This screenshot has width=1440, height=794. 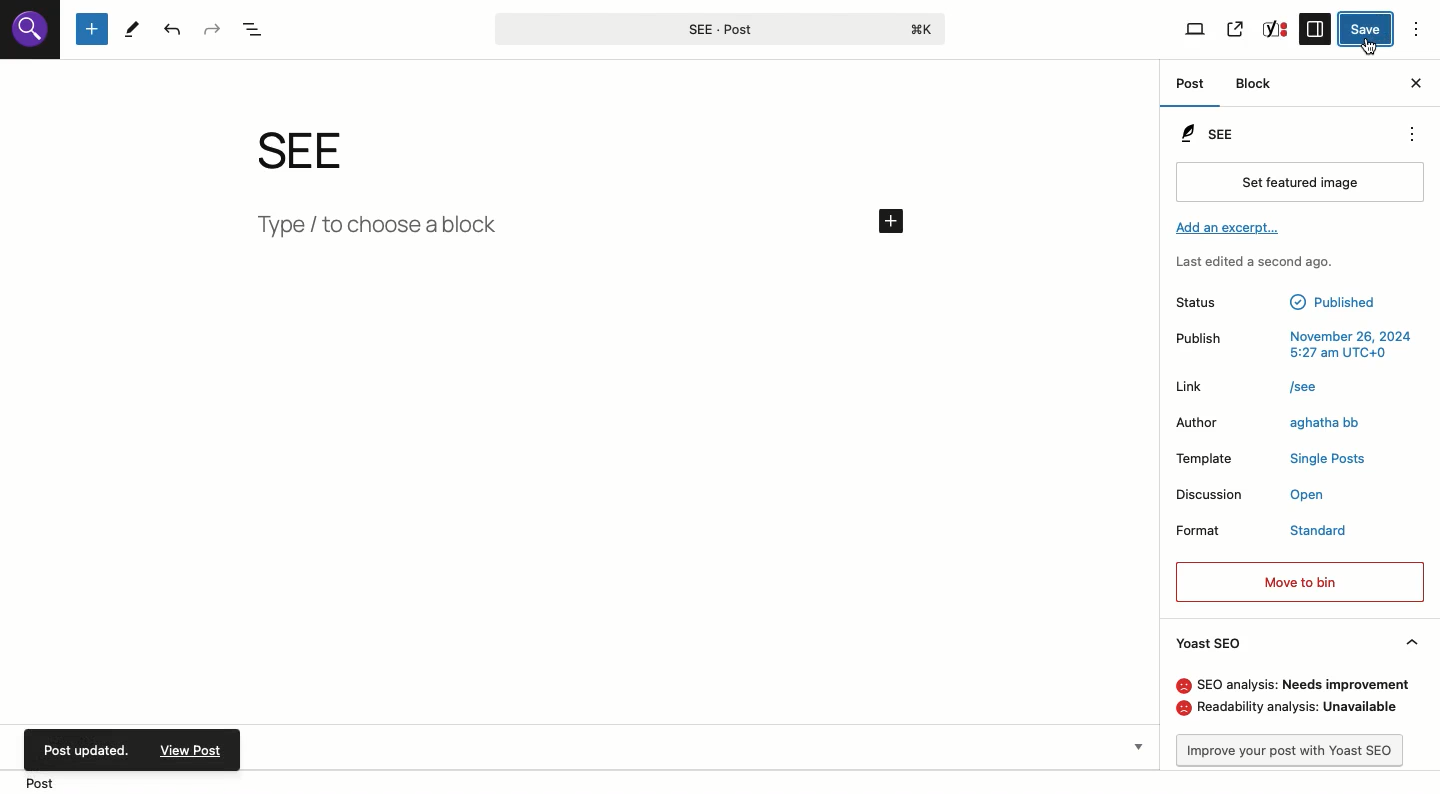 I want to click on see, so click(x=322, y=150).